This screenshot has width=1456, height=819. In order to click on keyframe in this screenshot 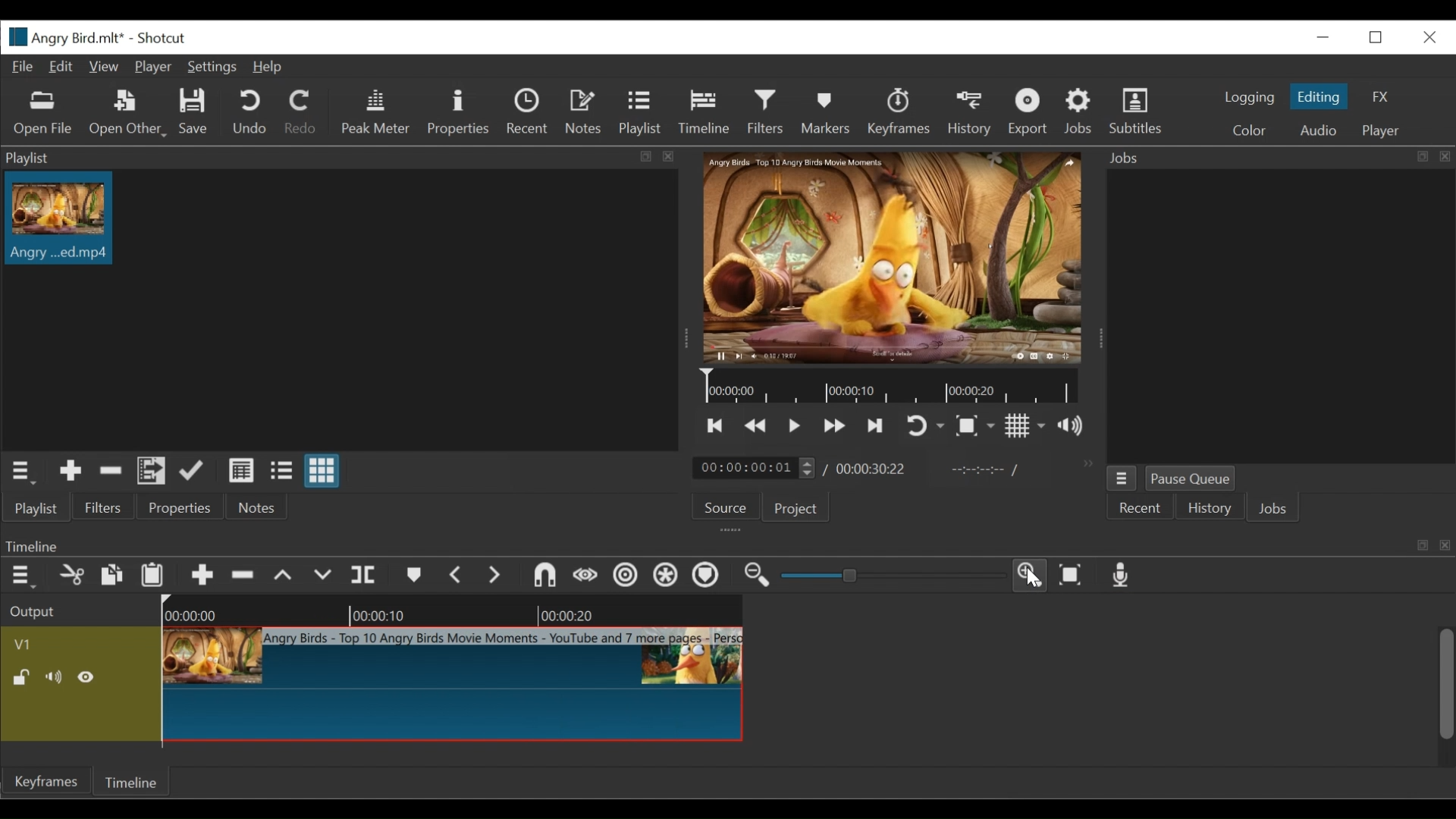, I will do `click(49, 783)`.